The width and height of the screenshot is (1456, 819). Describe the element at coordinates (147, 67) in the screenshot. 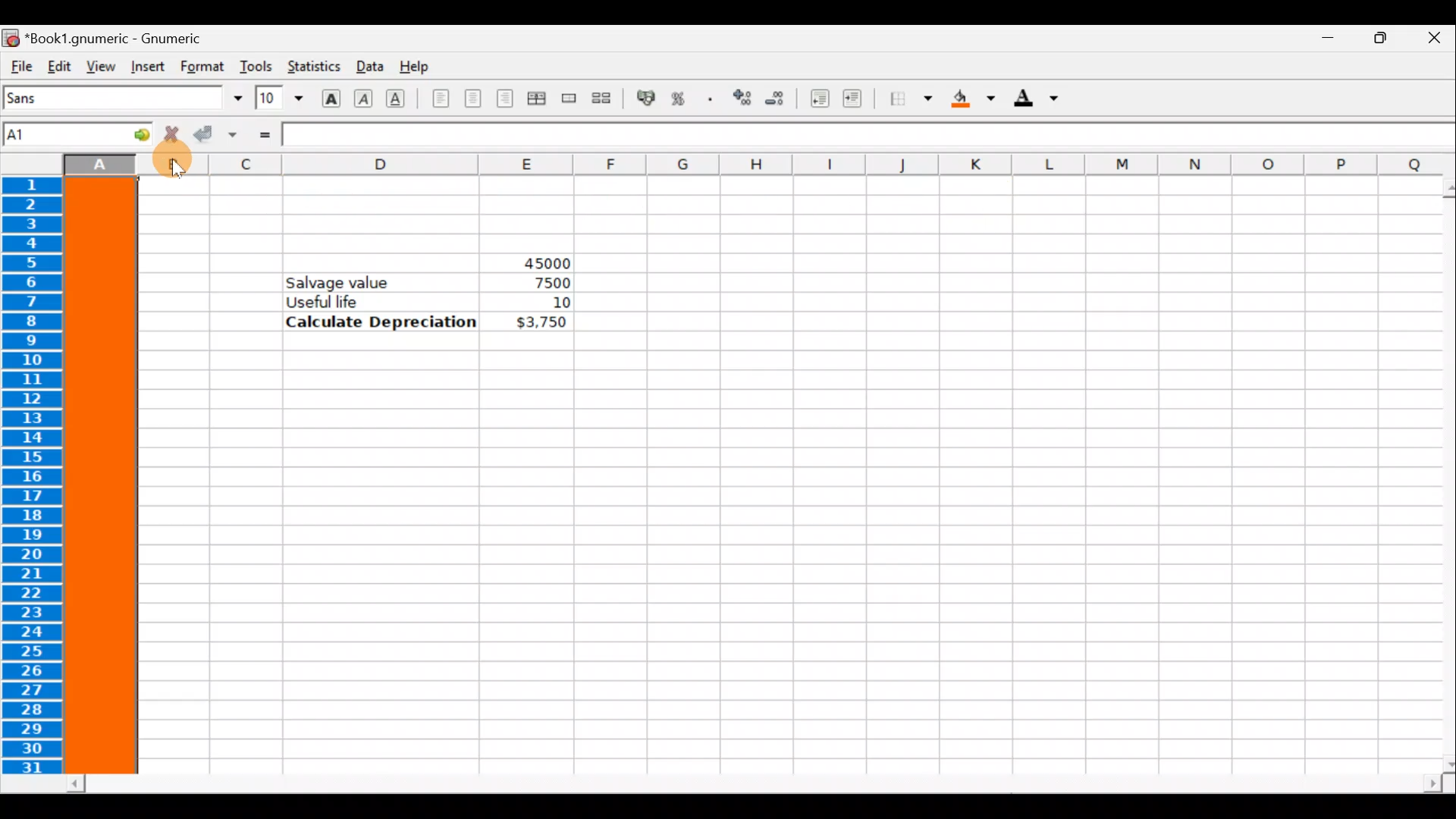

I see `Insert` at that location.